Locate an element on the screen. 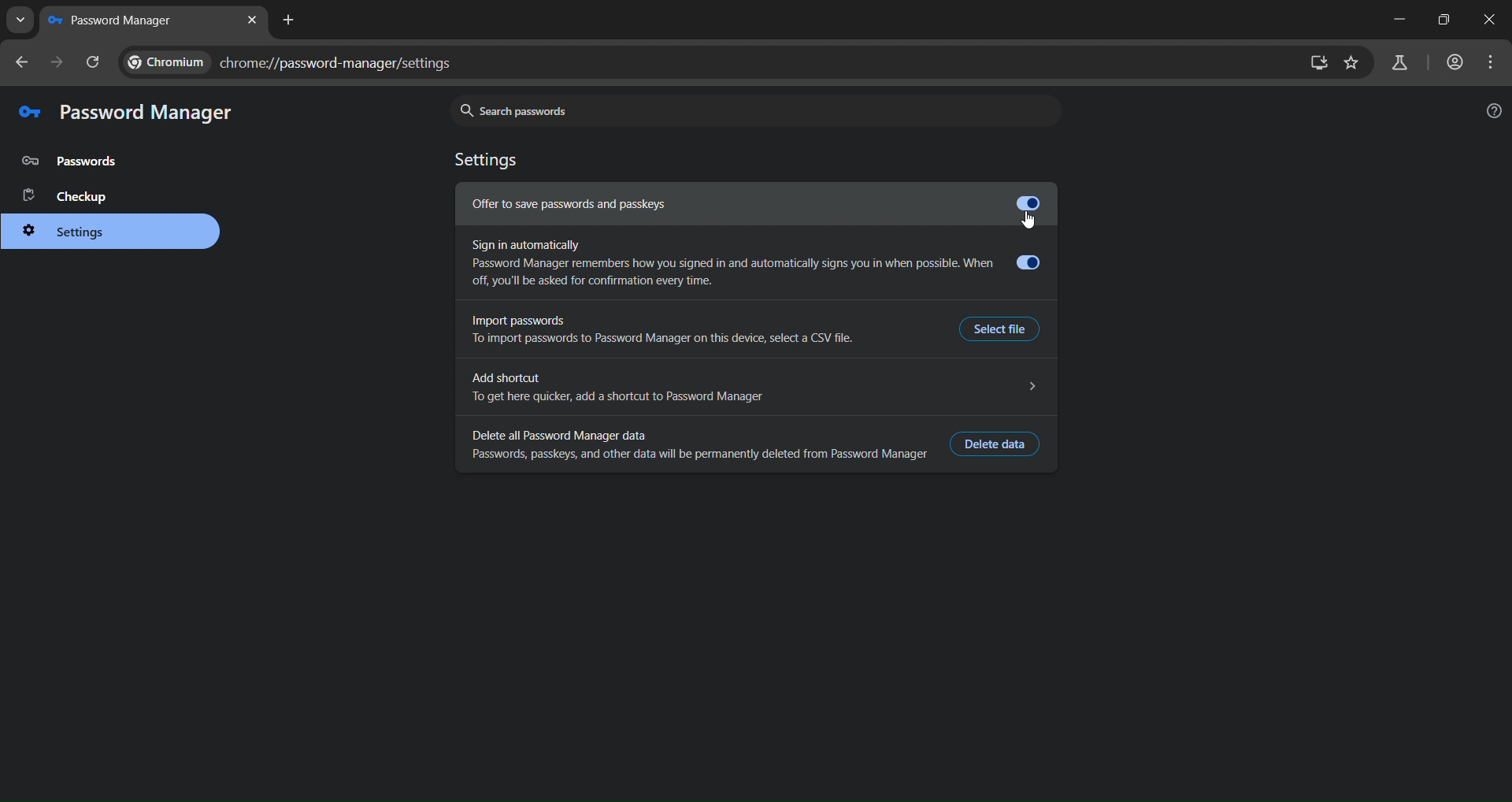 The image size is (1512, 802). search passwords is located at coordinates (749, 110).